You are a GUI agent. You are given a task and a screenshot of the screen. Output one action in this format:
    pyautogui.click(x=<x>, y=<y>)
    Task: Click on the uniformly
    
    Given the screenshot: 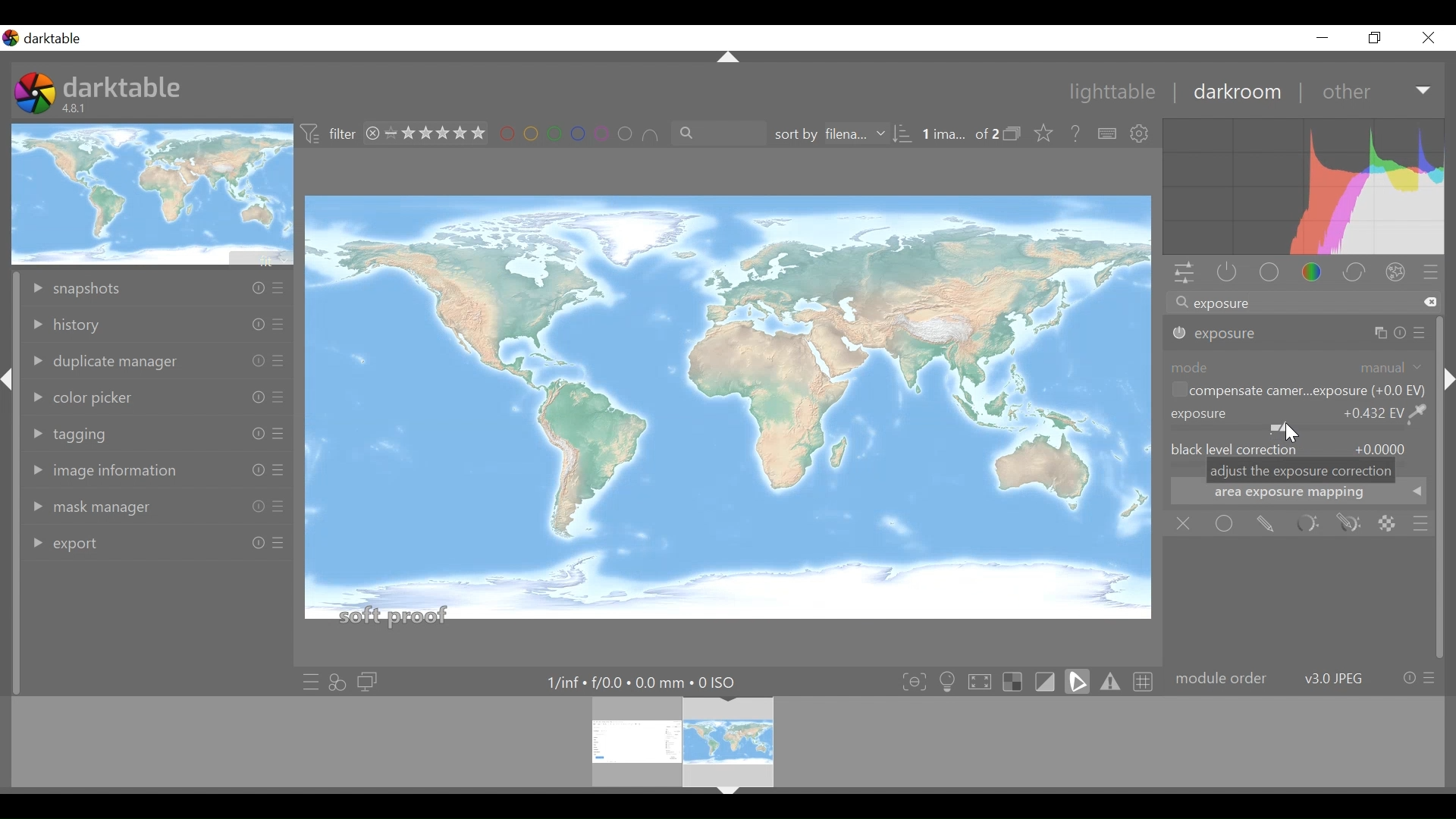 What is the action you would take?
    pyautogui.click(x=1225, y=523)
    